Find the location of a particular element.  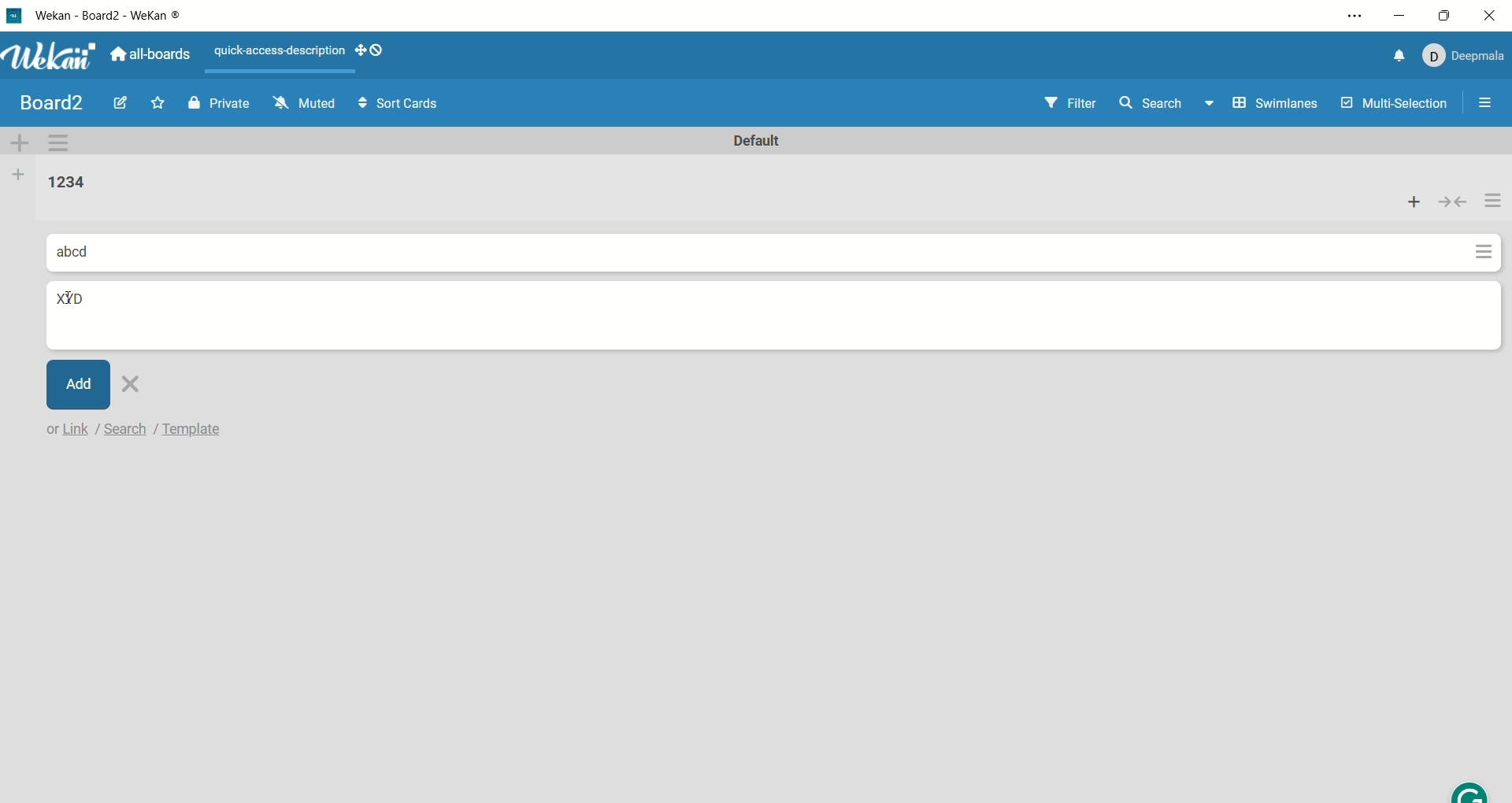

multi-selection is located at coordinates (1395, 105).